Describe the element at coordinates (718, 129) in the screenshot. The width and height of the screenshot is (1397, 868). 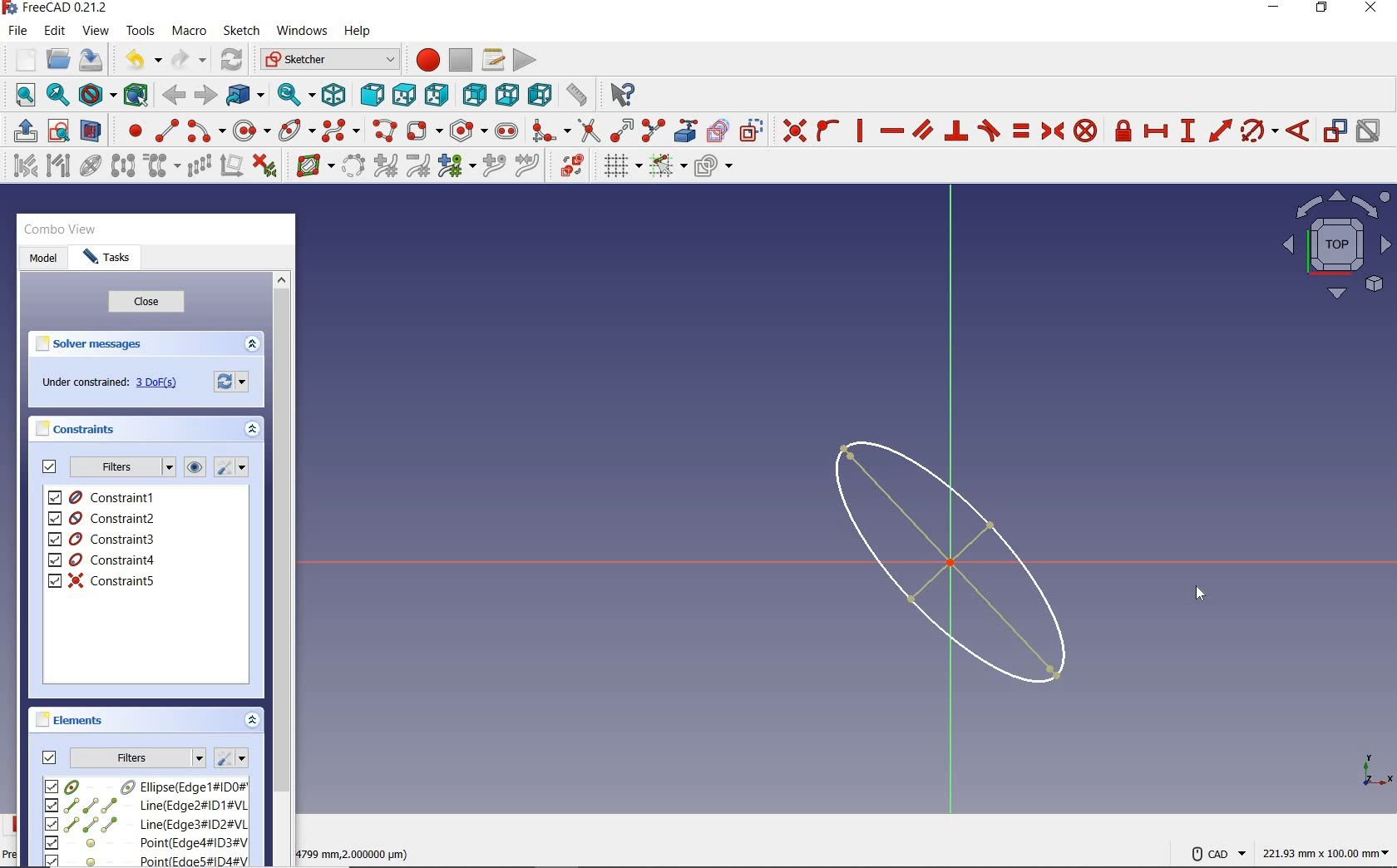
I see `create carbon copy` at that location.